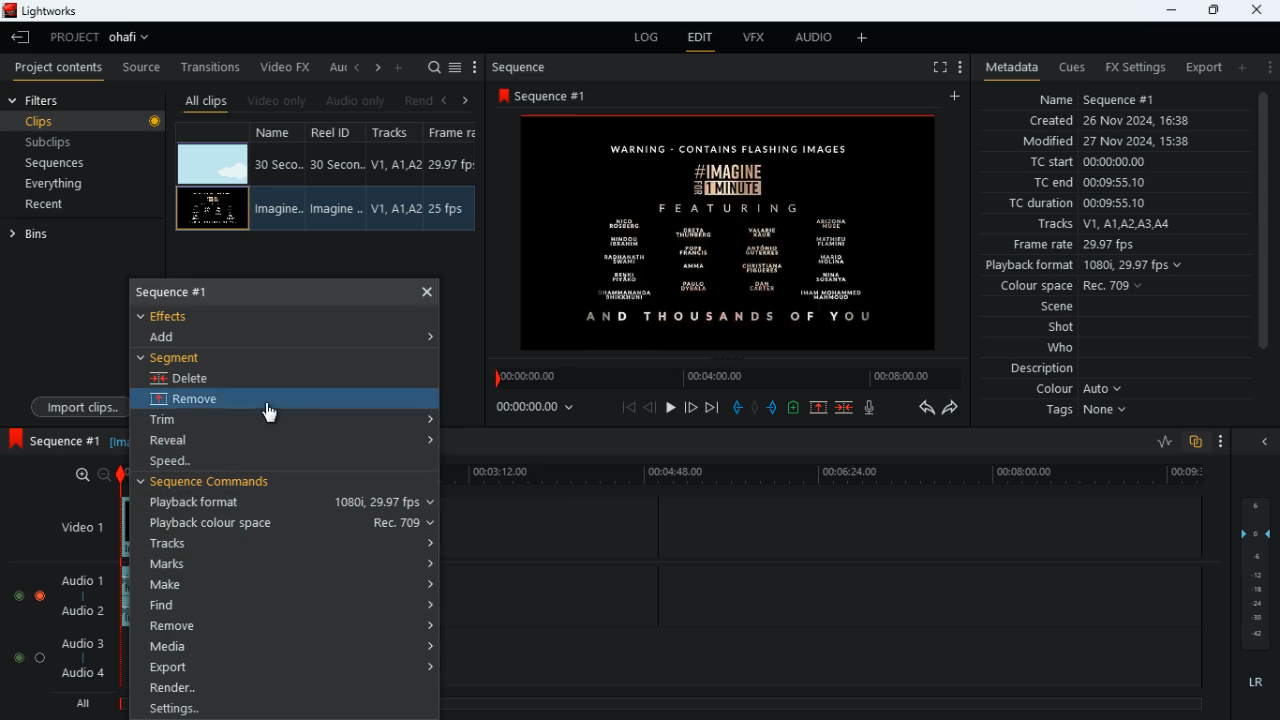 This screenshot has width=1280, height=720. What do you see at coordinates (44, 11) in the screenshot?
I see `lightworks` at bounding box center [44, 11].